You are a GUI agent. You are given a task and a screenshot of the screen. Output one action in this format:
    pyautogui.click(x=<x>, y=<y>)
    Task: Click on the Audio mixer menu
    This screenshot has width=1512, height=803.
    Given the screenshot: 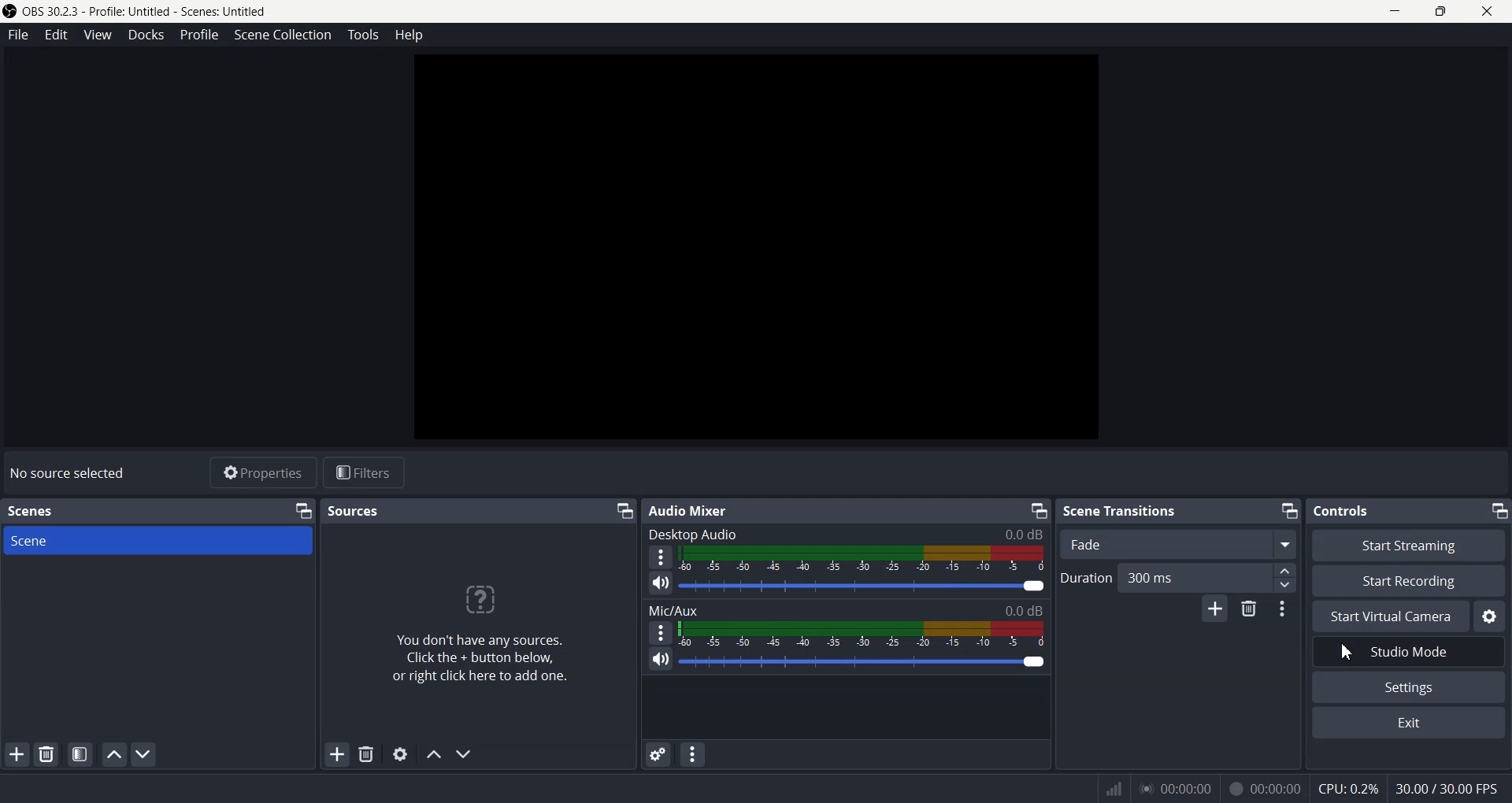 What is the action you would take?
    pyautogui.click(x=700, y=757)
    